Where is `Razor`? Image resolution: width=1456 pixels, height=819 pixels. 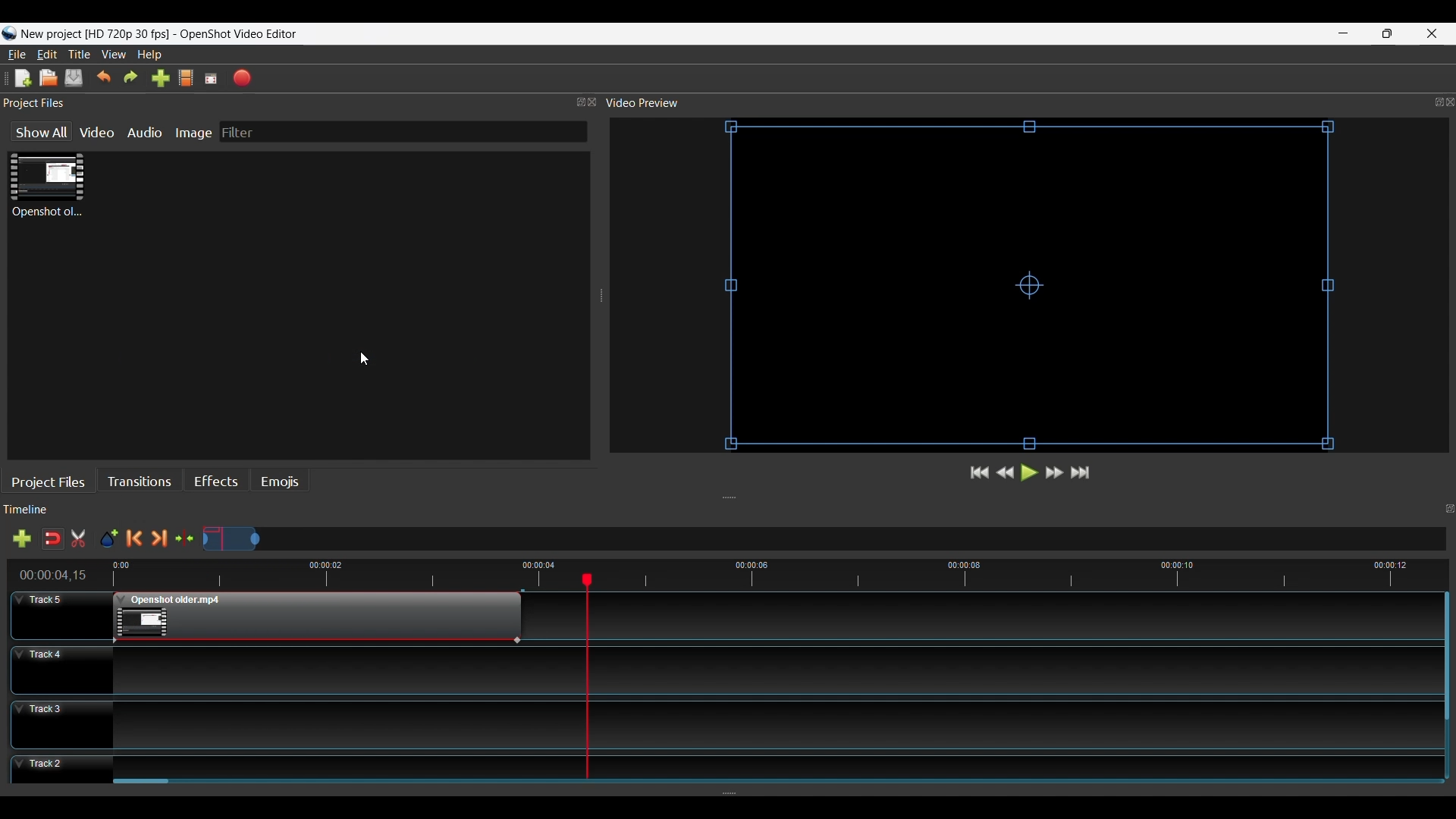
Razor is located at coordinates (80, 540).